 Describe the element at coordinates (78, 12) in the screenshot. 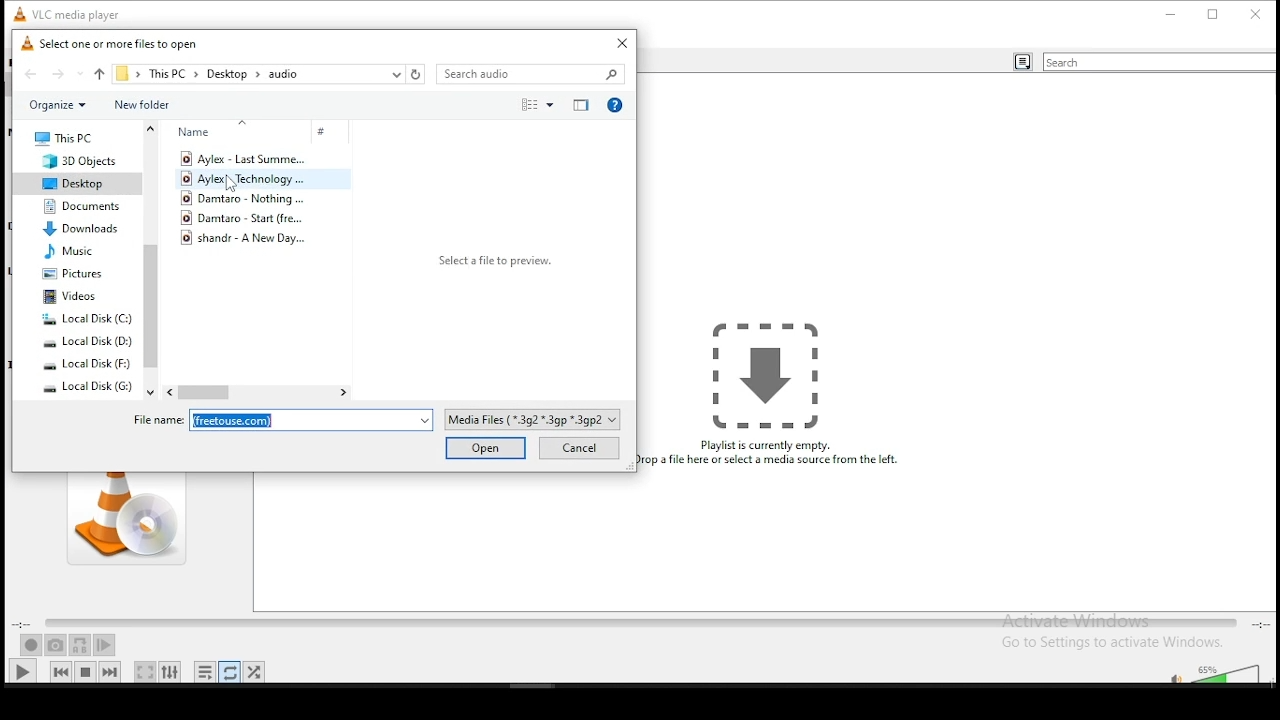

I see `VLC media player` at that location.